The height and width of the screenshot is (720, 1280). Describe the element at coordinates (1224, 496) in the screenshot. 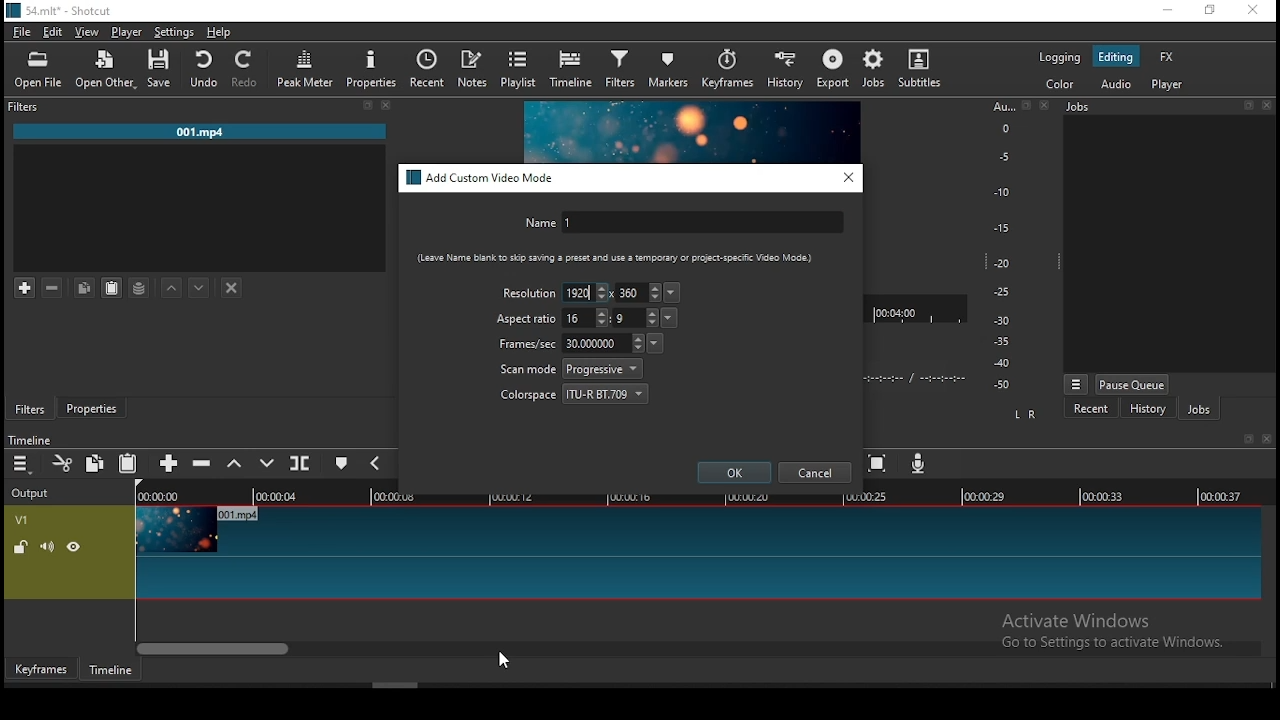

I see `00:00:37` at that location.